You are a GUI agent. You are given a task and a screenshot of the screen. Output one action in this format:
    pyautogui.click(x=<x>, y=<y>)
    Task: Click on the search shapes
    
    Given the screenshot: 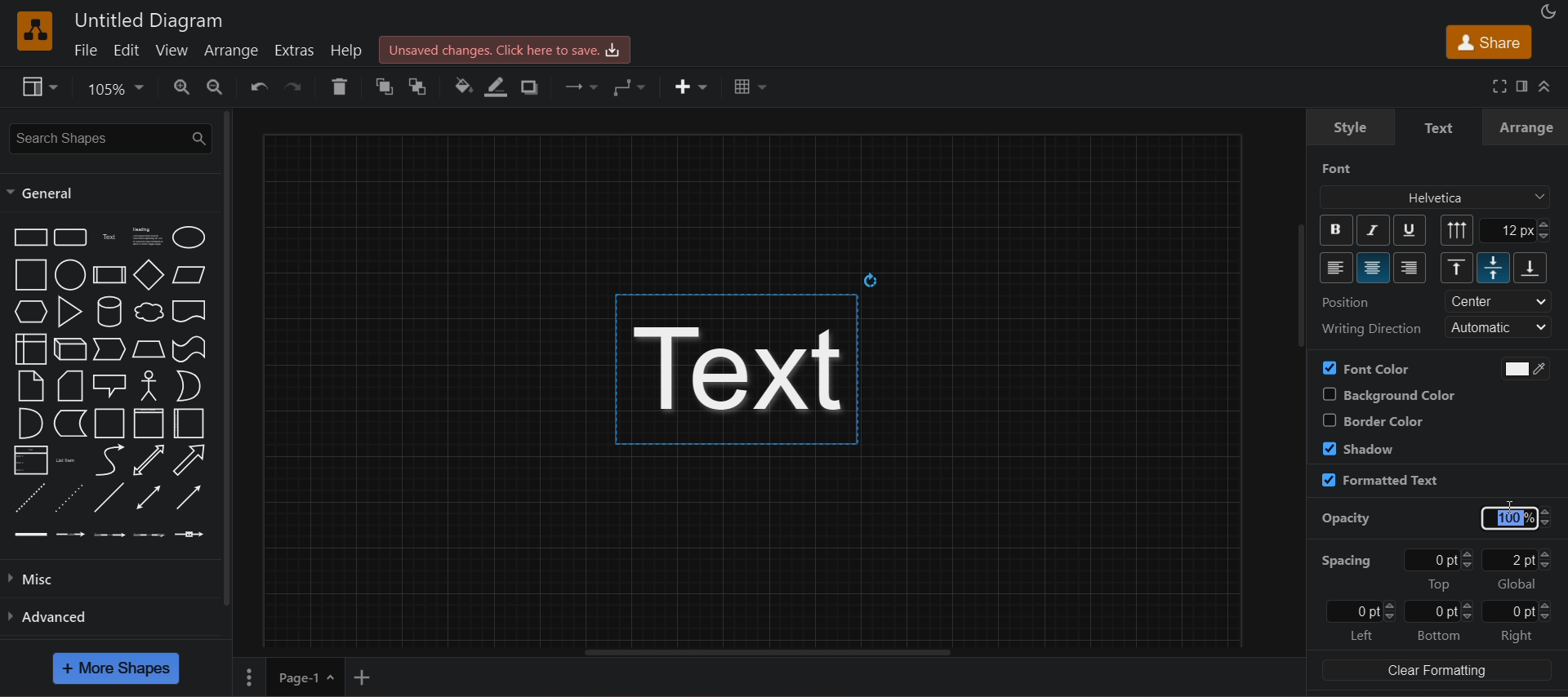 What is the action you would take?
    pyautogui.click(x=108, y=139)
    